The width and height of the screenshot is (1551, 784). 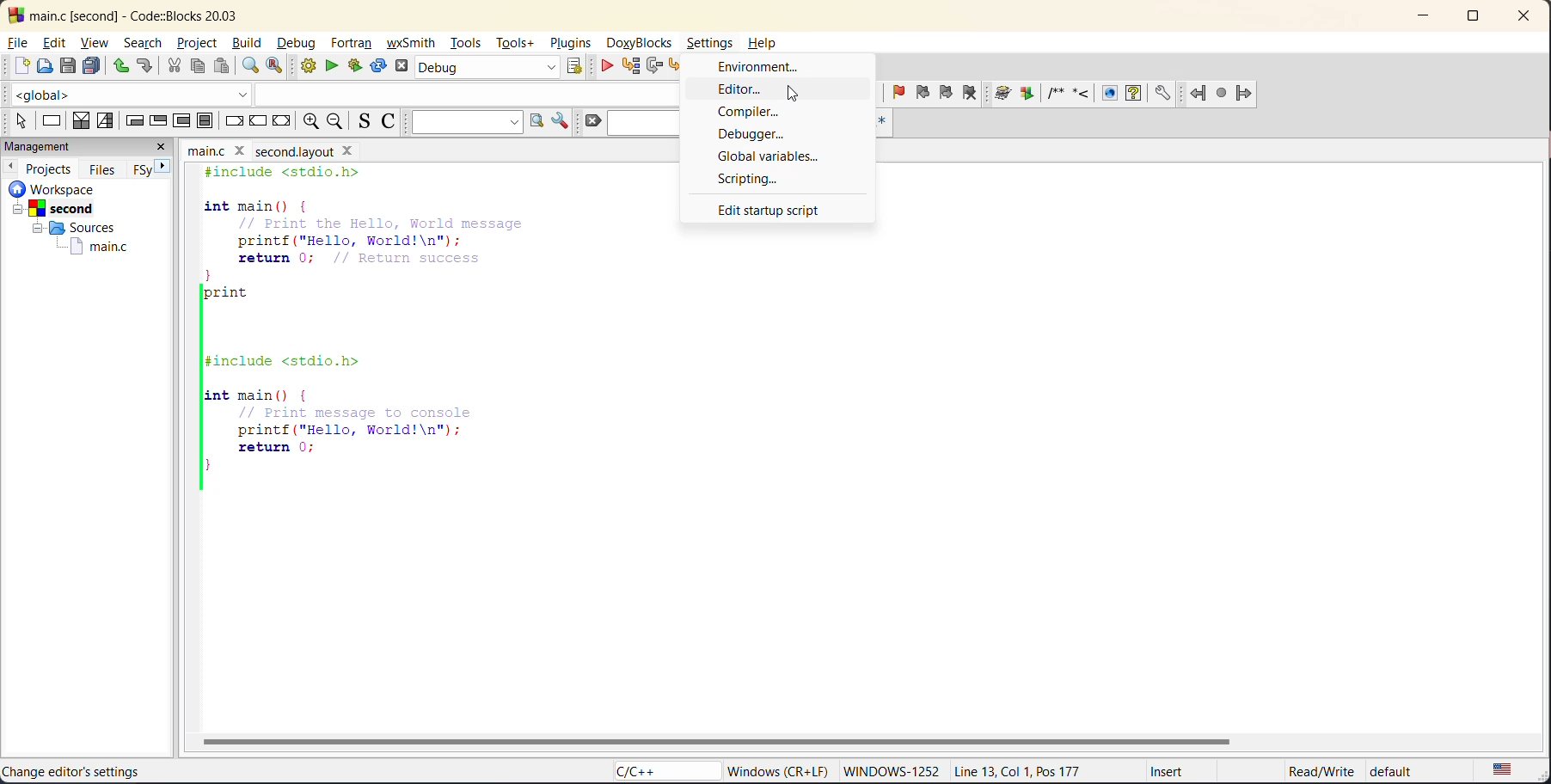 What do you see at coordinates (894, 93) in the screenshot?
I see `toggle bookmark` at bounding box center [894, 93].